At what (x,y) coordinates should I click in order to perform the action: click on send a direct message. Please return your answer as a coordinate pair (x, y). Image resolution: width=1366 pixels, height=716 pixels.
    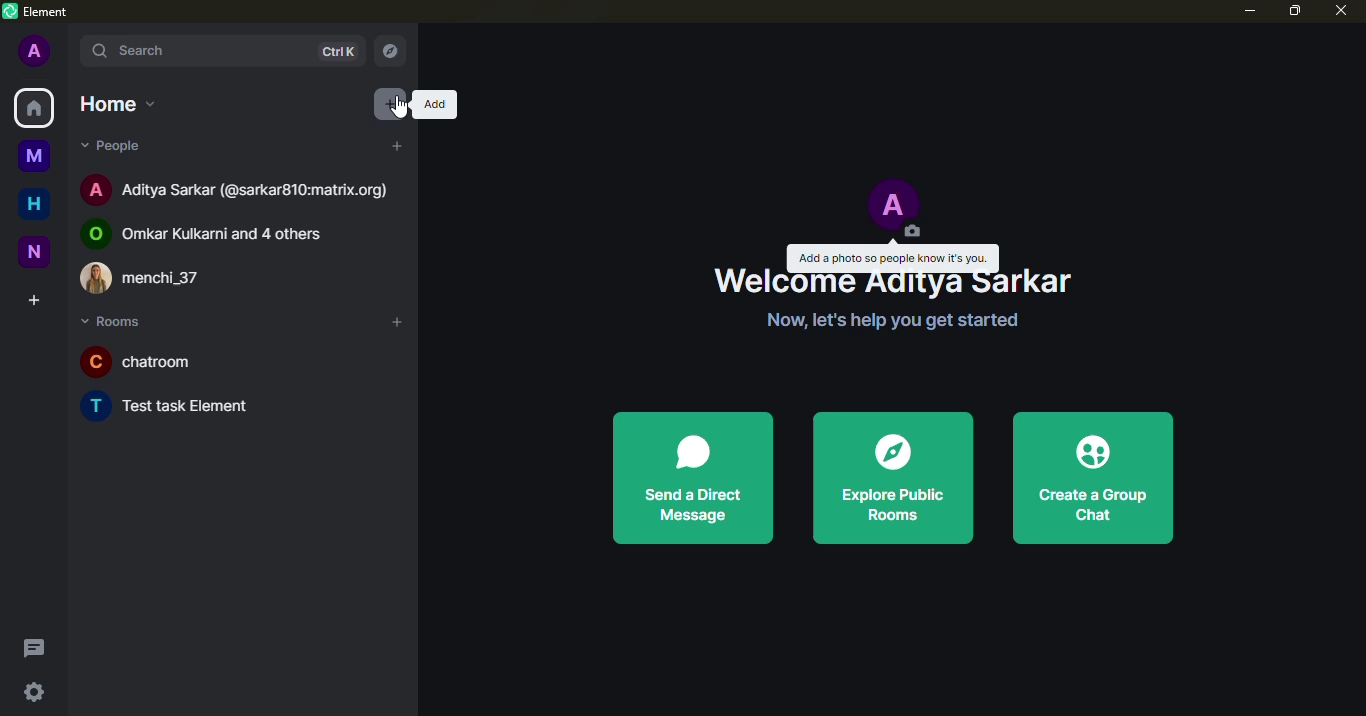
    Looking at the image, I should click on (691, 478).